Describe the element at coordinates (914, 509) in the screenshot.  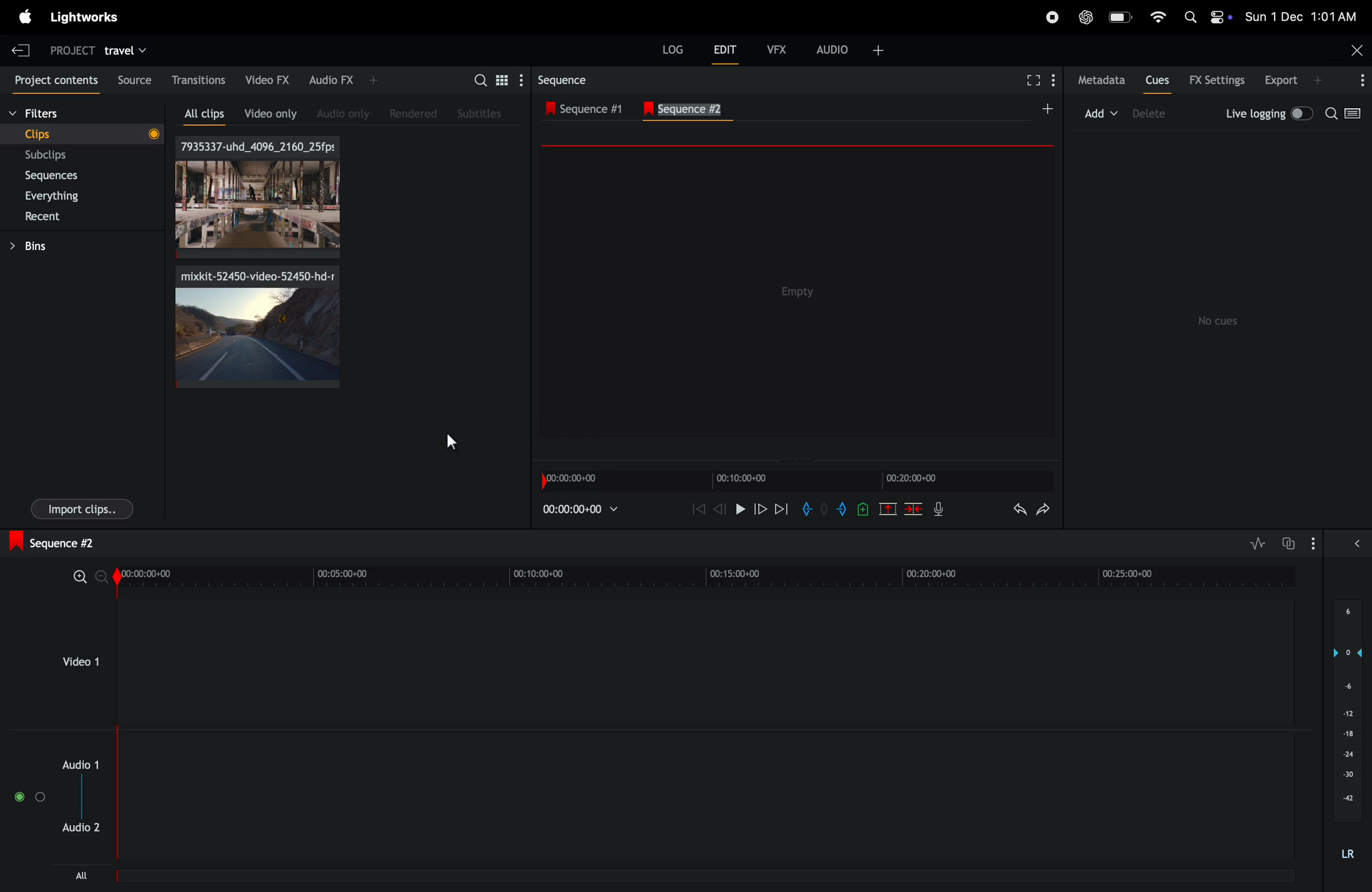
I see `delete clps` at that location.